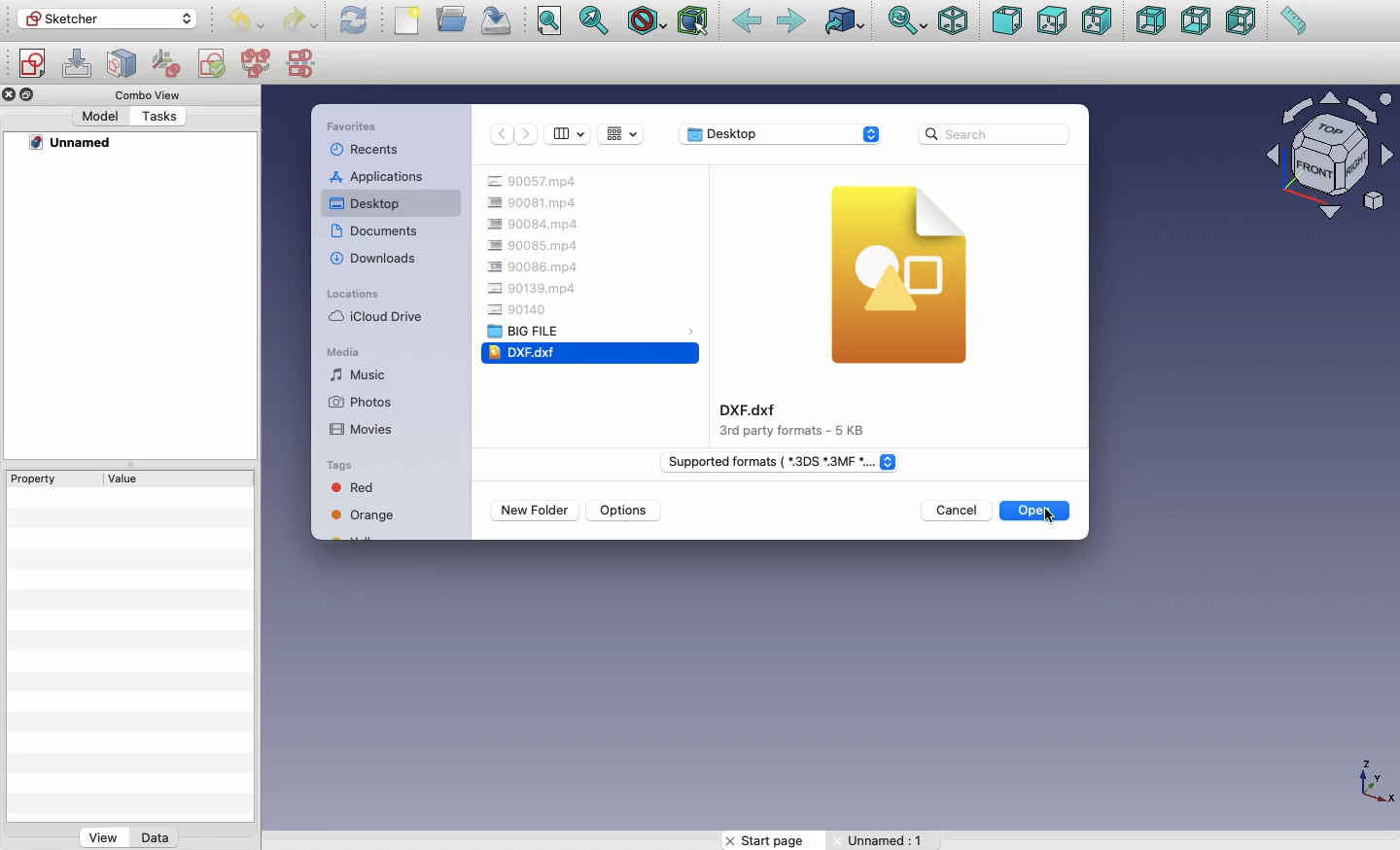 This screenshot has width=1400, height=850. I want to click on Start page, so click(766, 839).